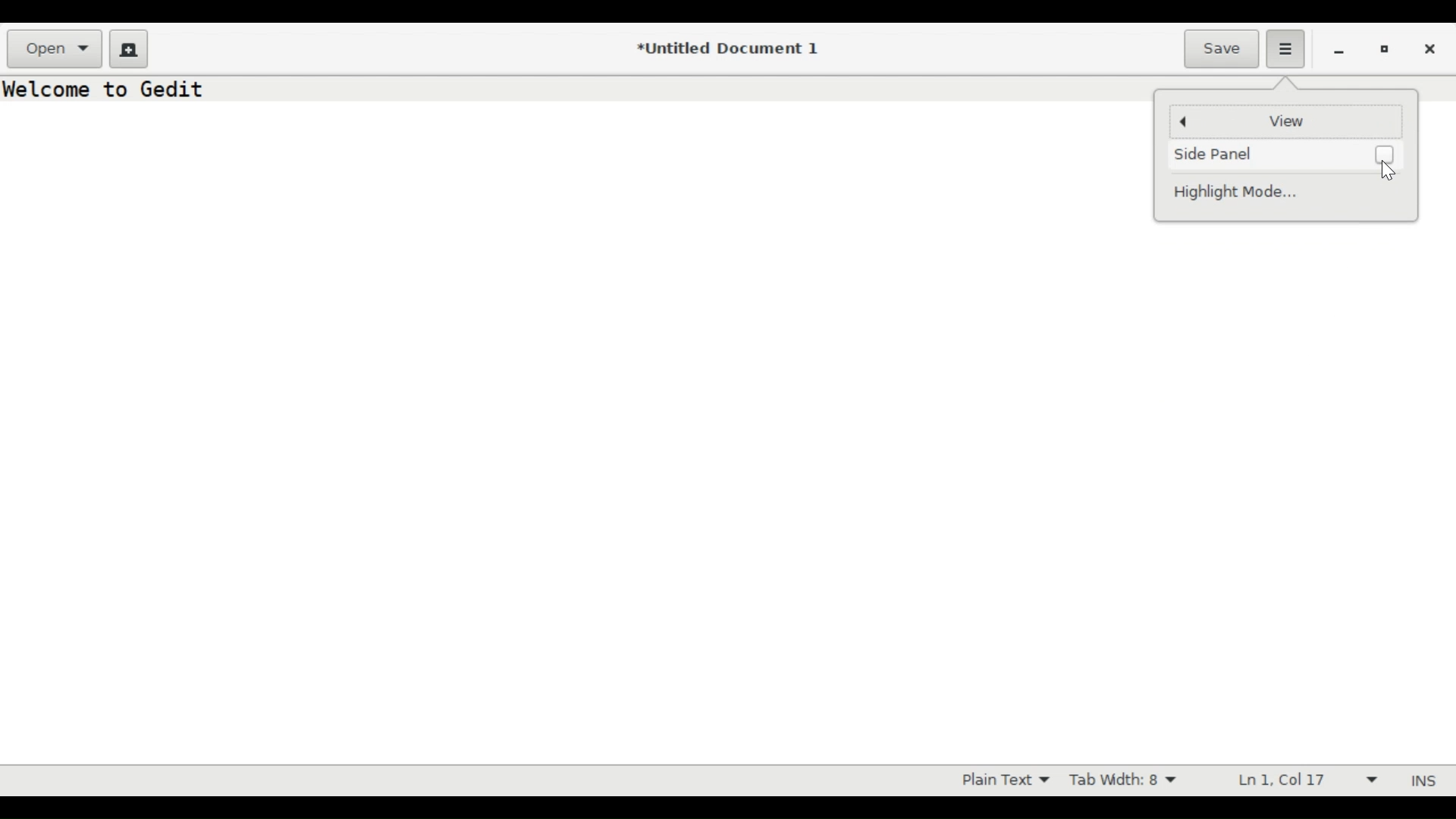 The width and height of the screenshot is (1456, 819). Describe the element at coordinates (128, 48) in the screenshot. I see `Create a new document` at that location.